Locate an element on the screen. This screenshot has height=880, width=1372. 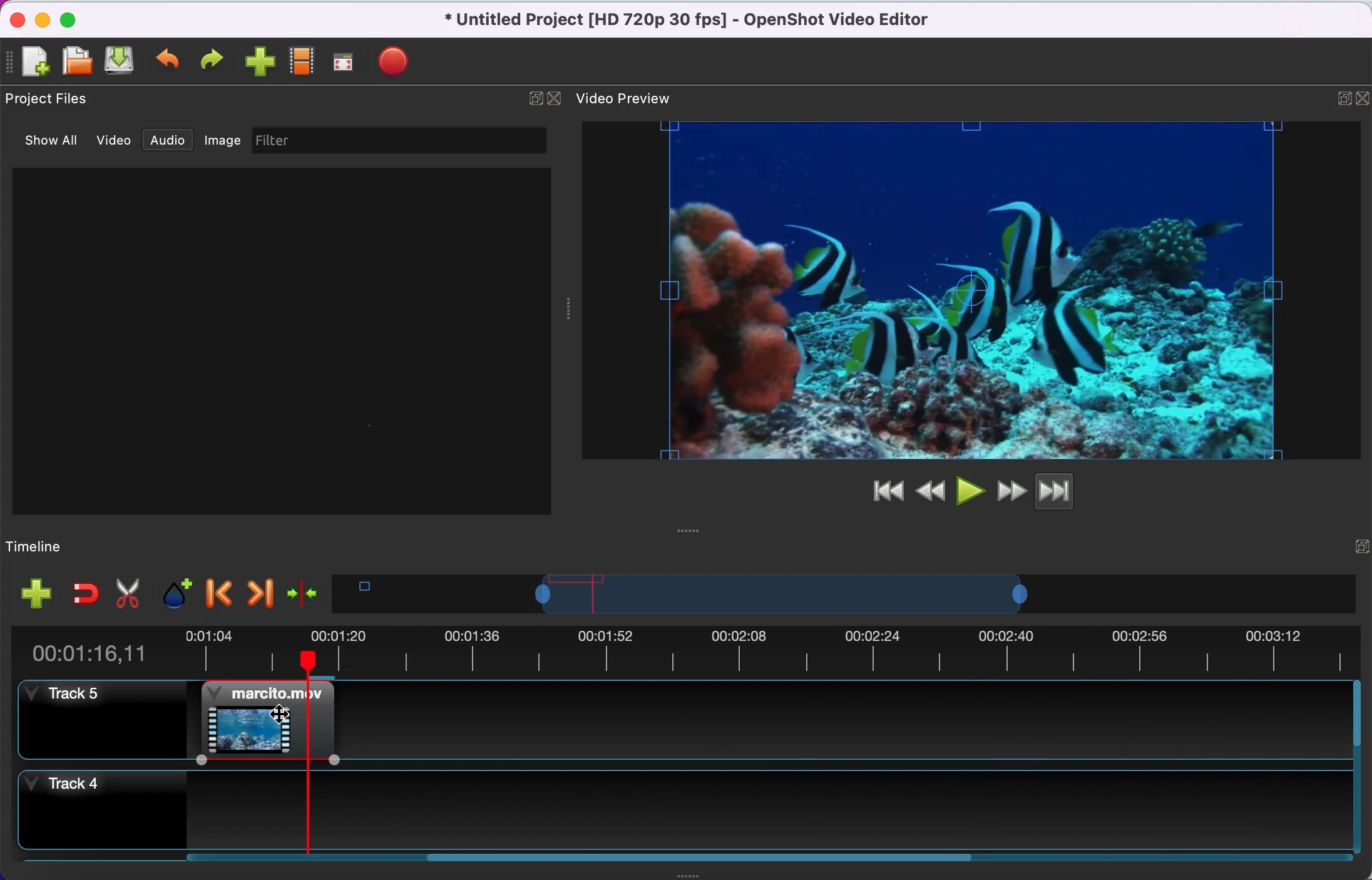
close is located at coordinates (555, 100).